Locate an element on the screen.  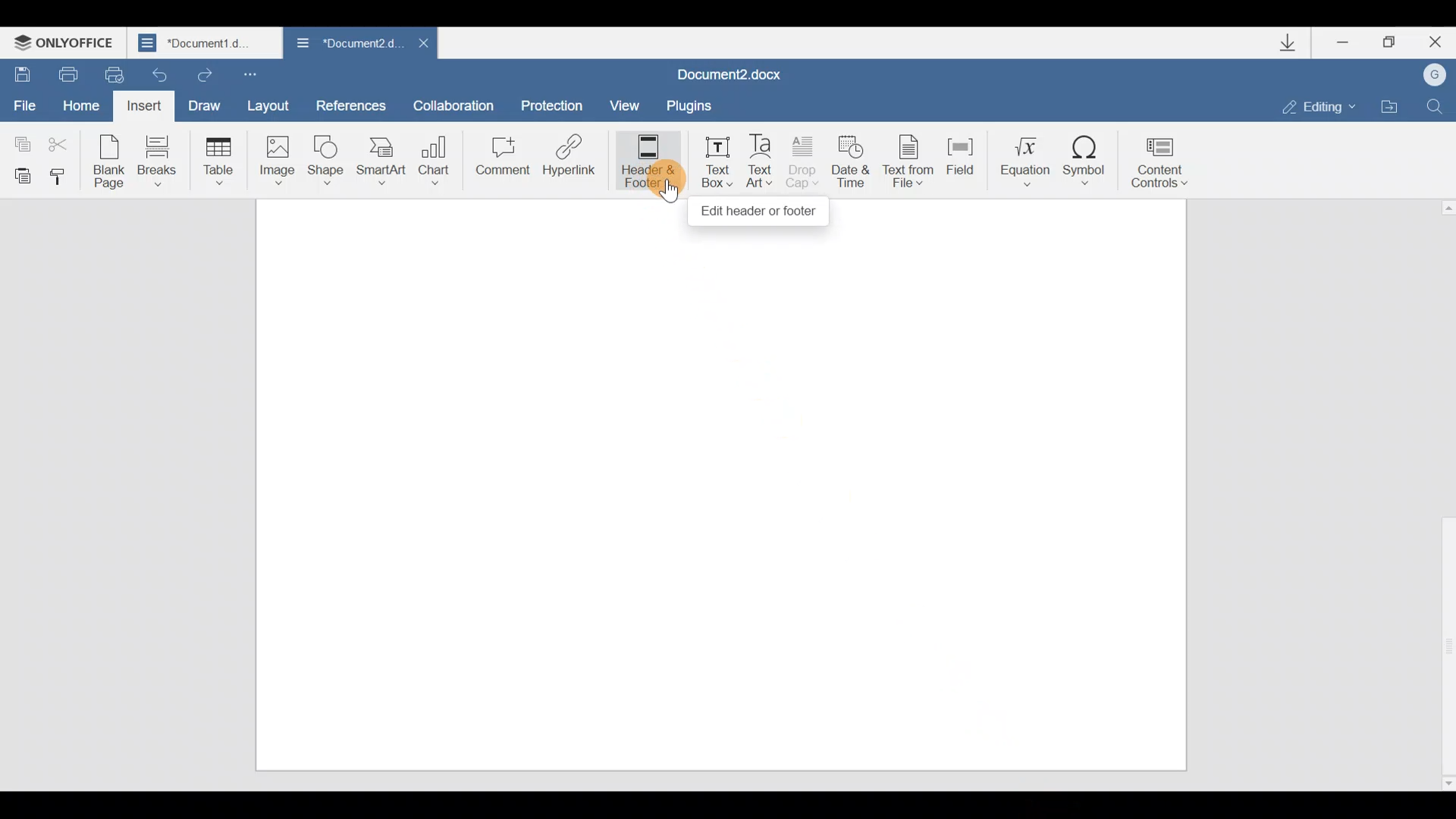
Minimize is located at coordinates (1338, 44).